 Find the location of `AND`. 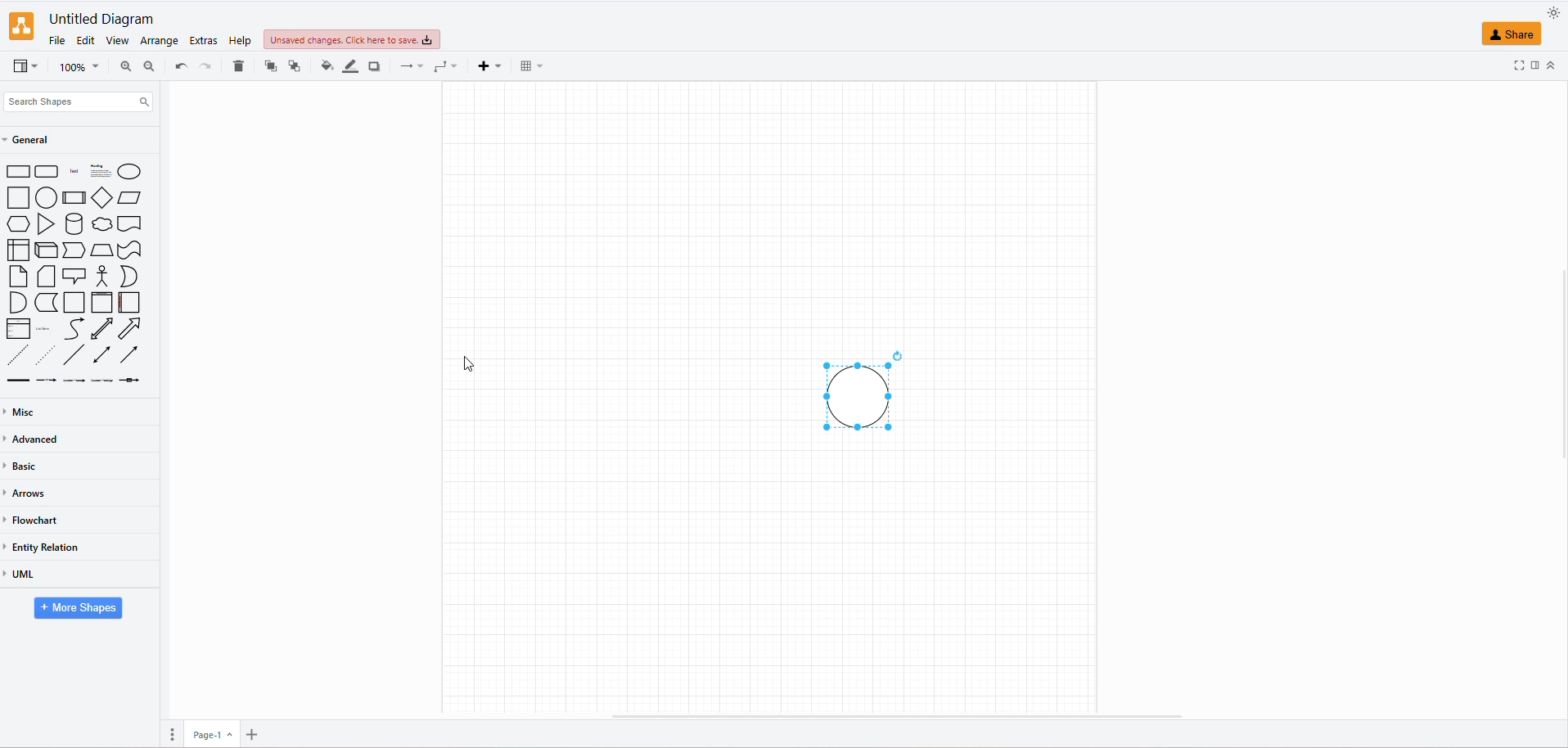

AND is located at coordinates (16, 303).